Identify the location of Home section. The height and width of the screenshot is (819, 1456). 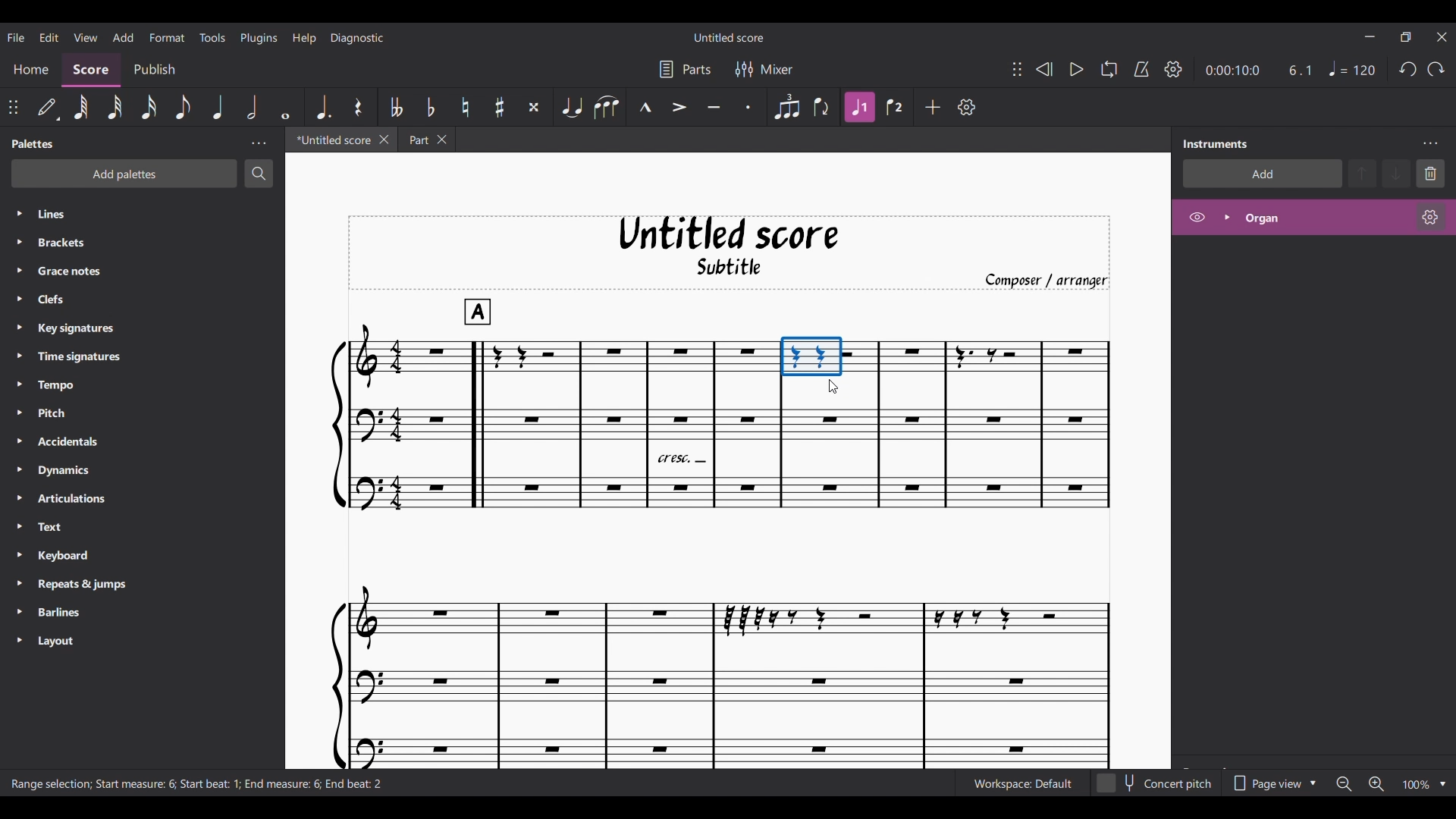
(31, 68).